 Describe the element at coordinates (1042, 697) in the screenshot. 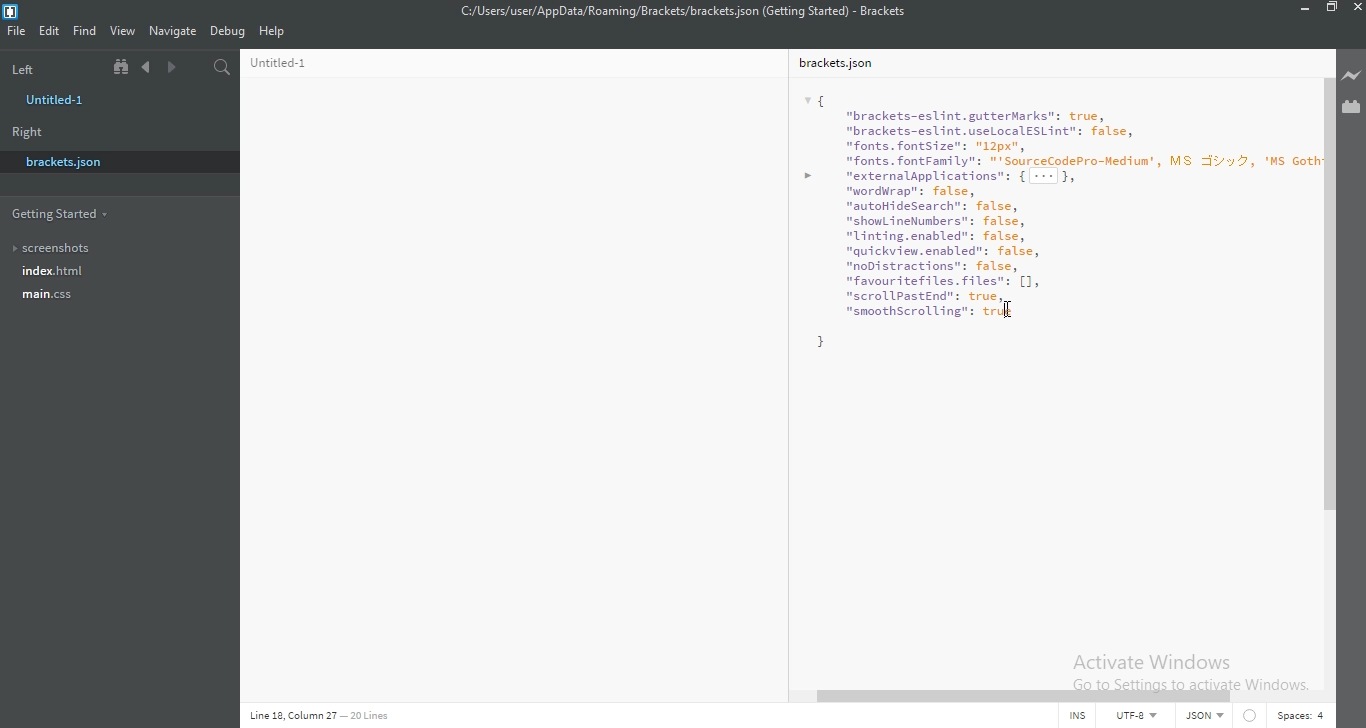

I see `scroll bar` at that location.